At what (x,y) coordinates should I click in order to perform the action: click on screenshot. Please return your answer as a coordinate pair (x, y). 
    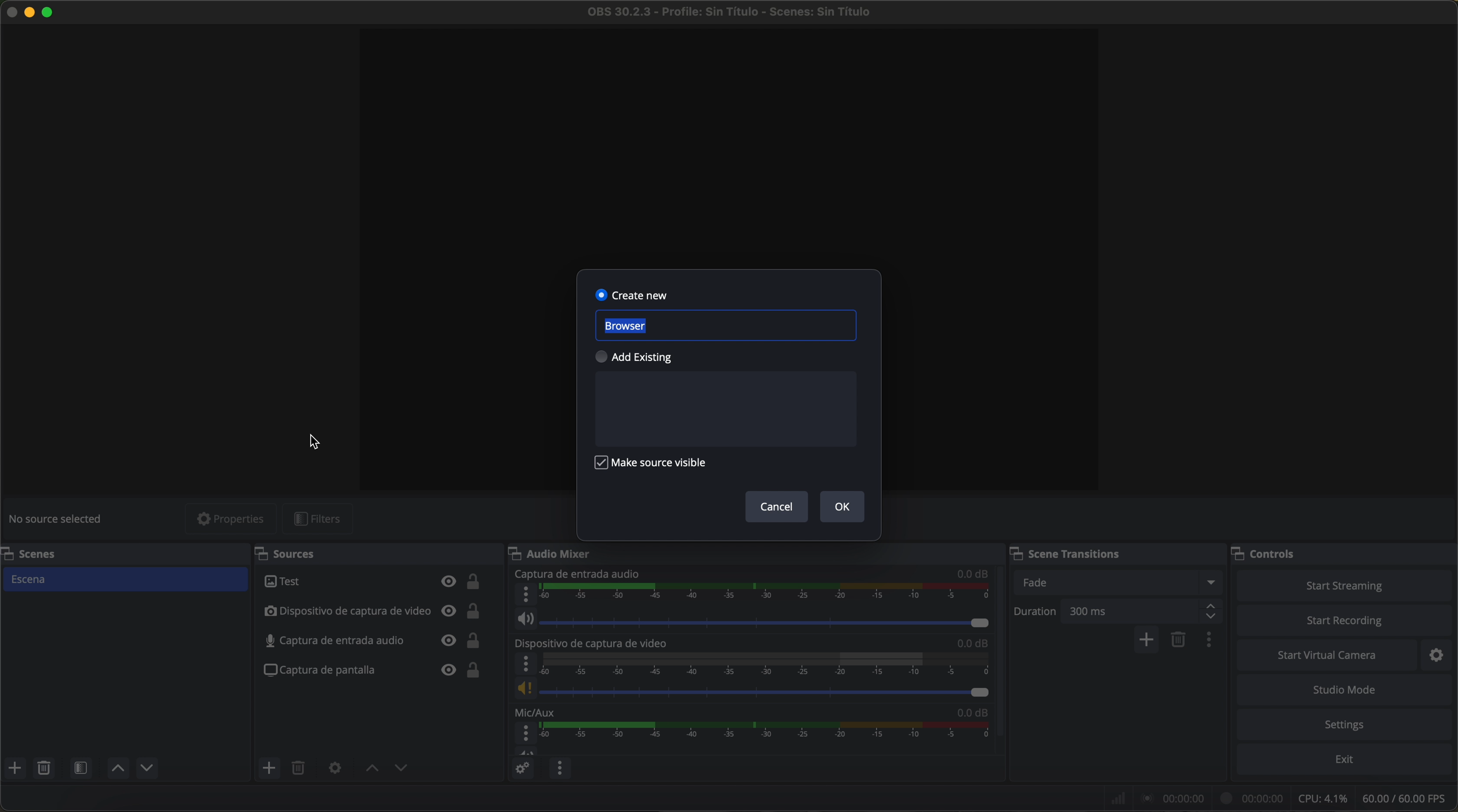
    Looking at the image, I should click on (374, 670).